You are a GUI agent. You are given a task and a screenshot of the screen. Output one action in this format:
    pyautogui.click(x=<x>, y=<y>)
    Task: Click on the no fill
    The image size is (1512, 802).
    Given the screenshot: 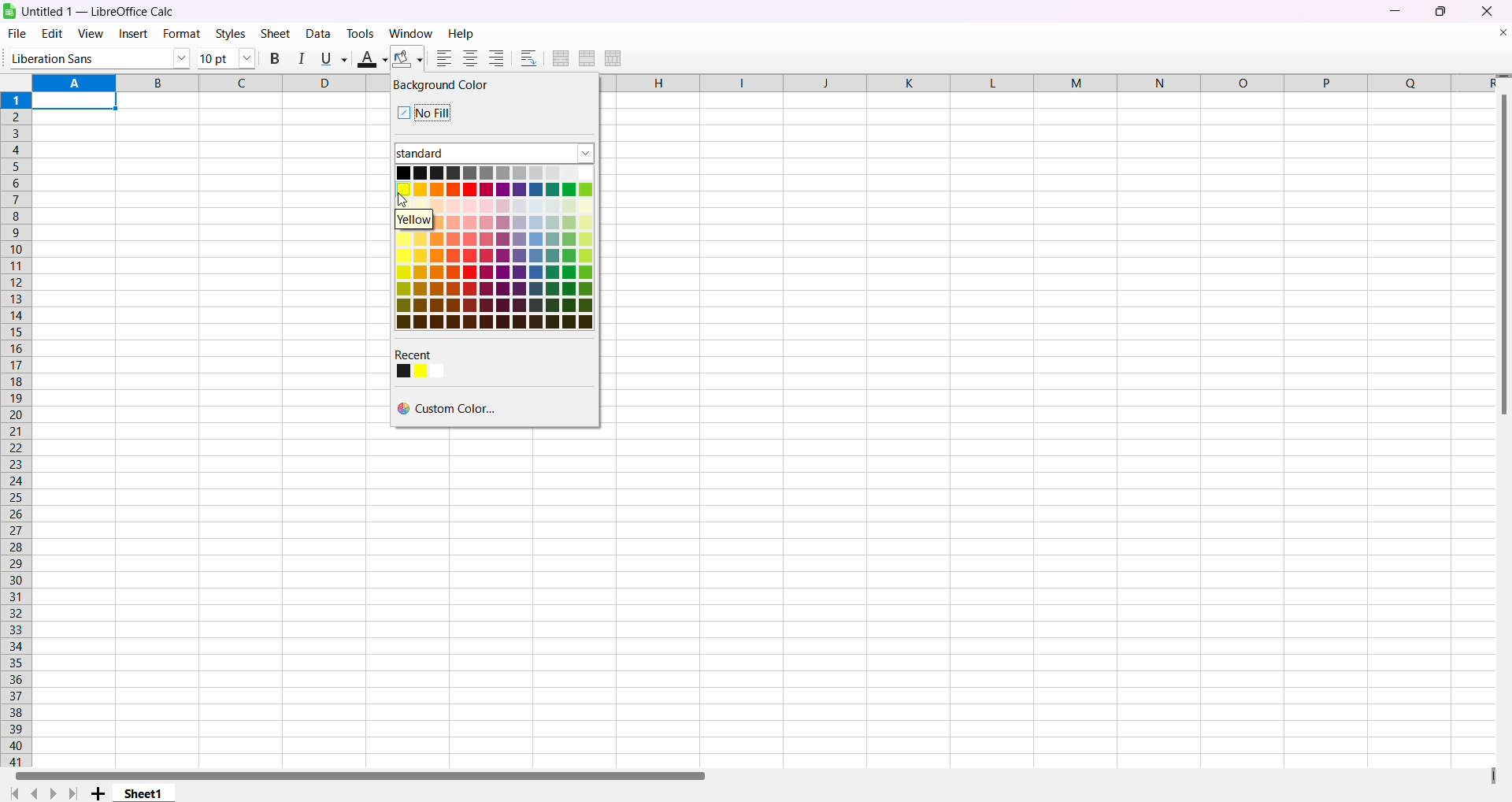 What is the action you would take?
    pyautogui.click(x=424, y=112)
    